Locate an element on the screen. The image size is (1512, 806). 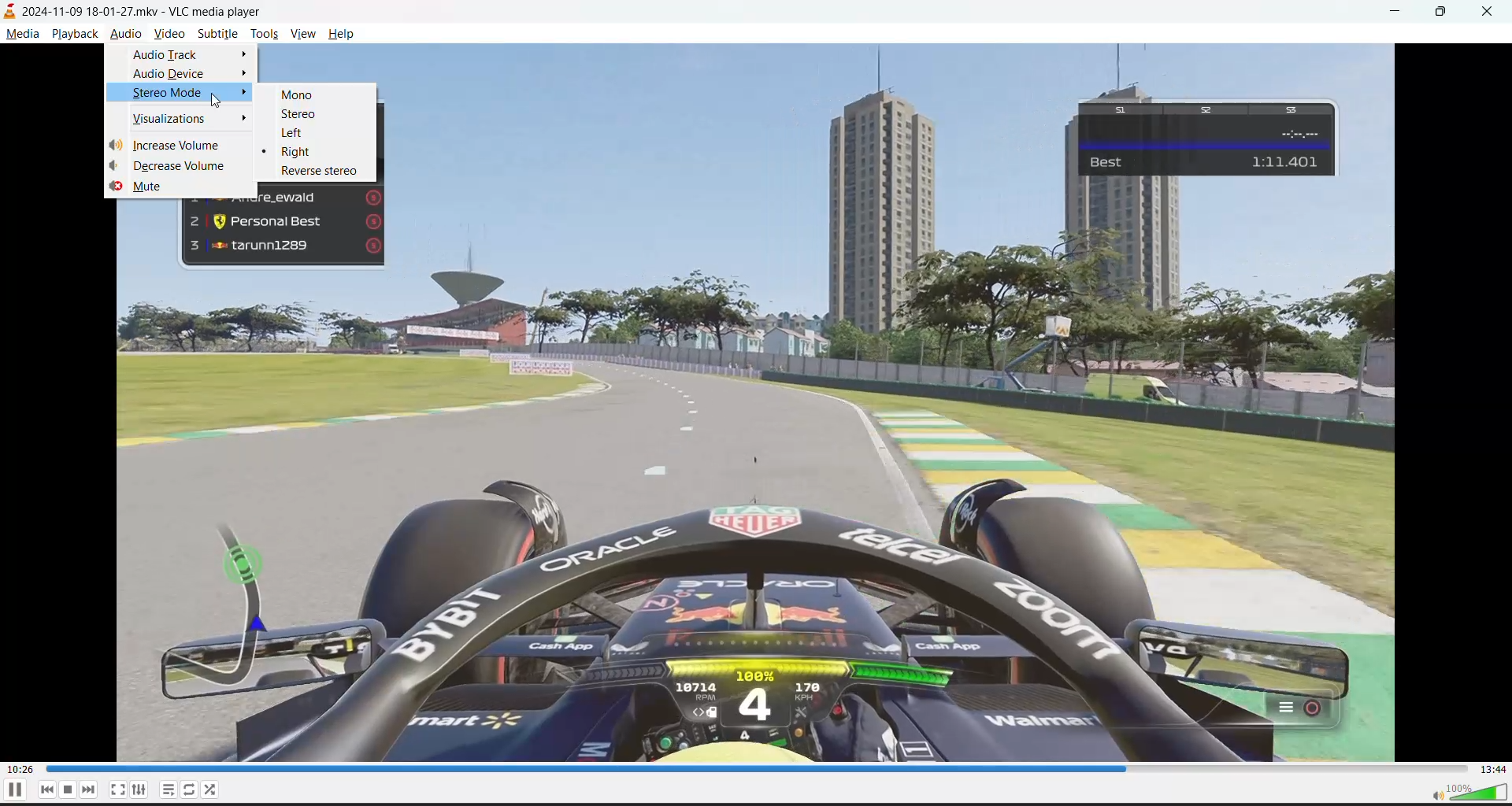
decrease volume is located at coordinates (165, 165).